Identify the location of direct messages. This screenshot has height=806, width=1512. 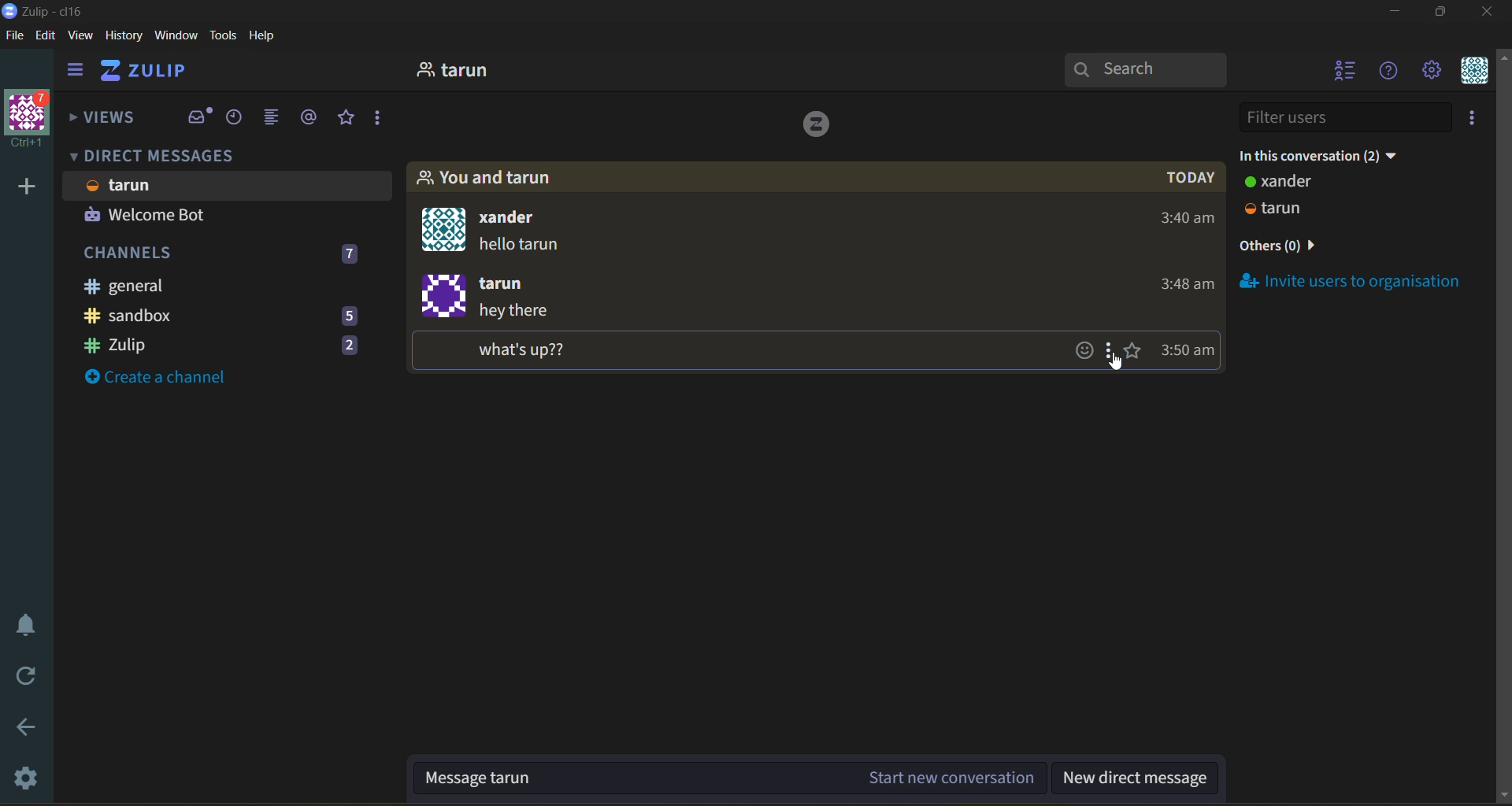
(169, 156).